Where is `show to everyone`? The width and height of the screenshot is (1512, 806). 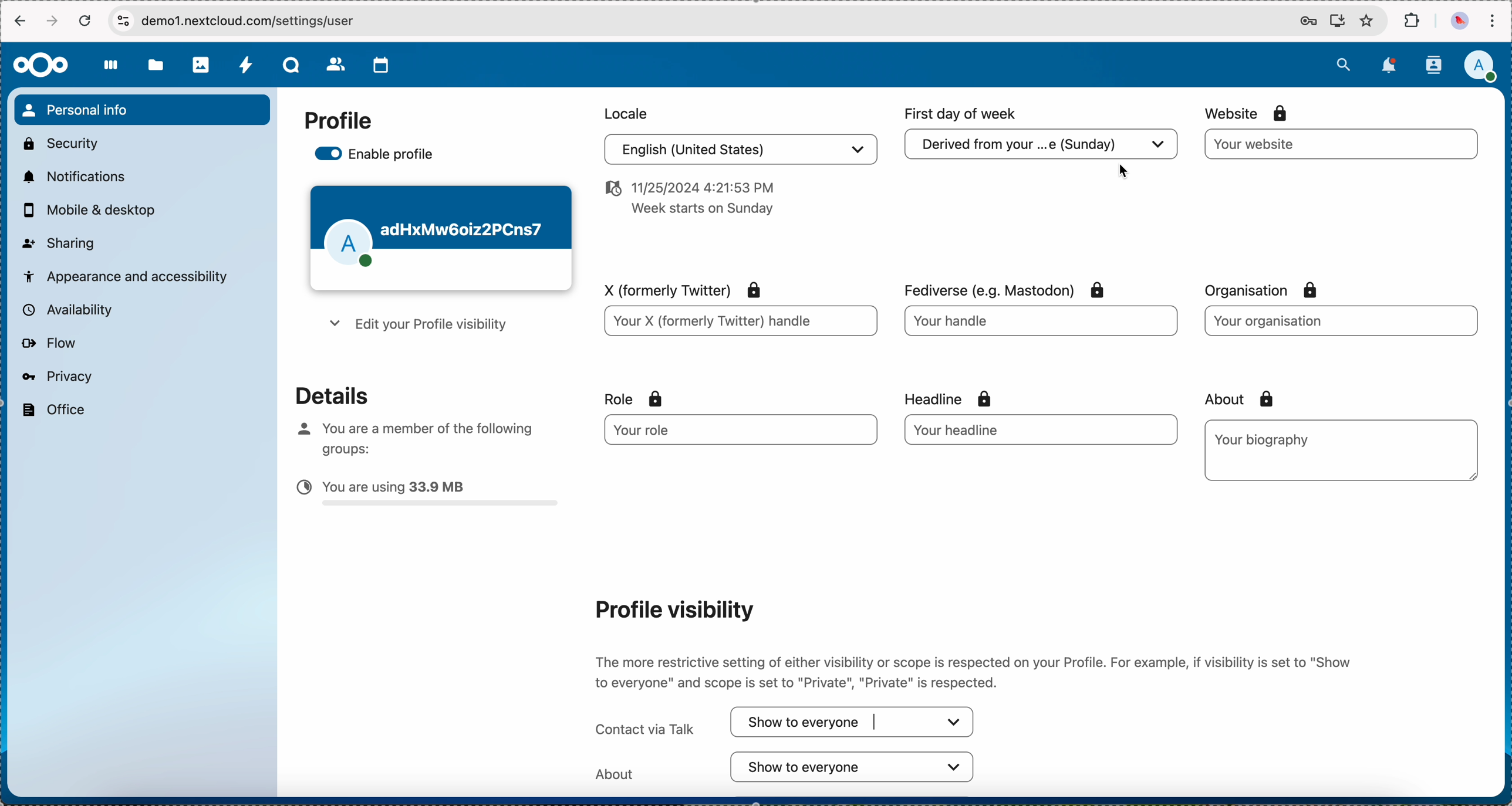 show to everyone is located at coordinates (860, 723).